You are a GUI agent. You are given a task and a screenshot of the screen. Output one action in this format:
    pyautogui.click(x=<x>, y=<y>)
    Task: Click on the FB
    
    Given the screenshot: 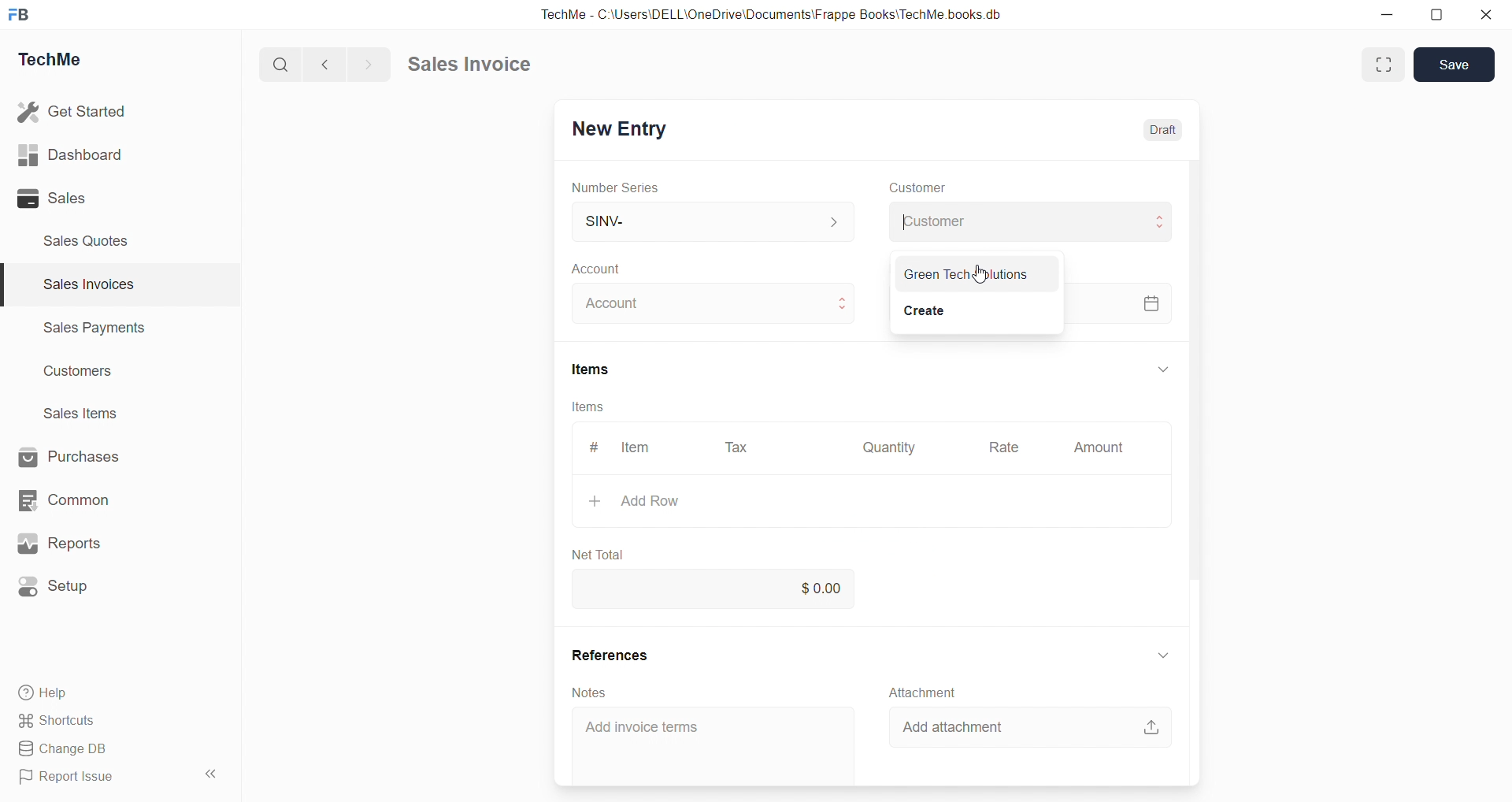 What is the action you would take?
    pyautogui.click(x=19, y=16)
    